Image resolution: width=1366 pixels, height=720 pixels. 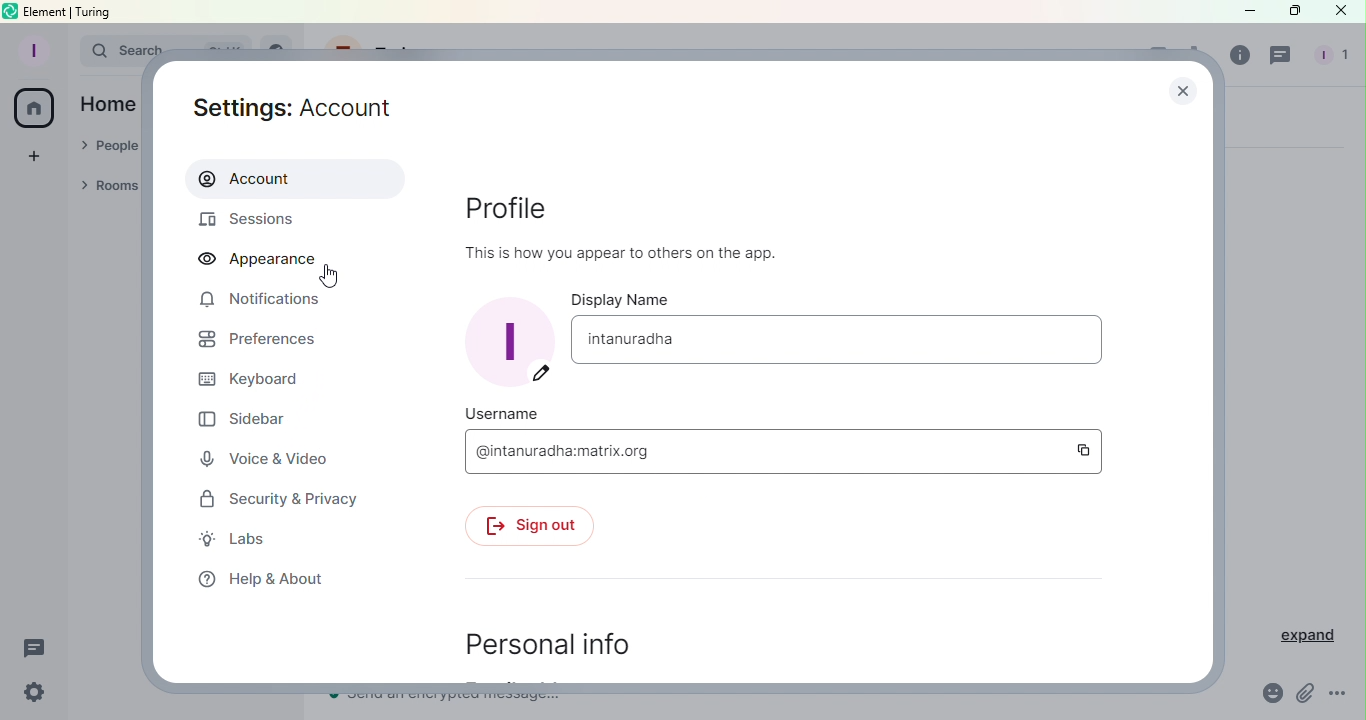 What do you see at coordinates (109, 147) in the screenshot?
I see `People` at bounding box center [109, 147].